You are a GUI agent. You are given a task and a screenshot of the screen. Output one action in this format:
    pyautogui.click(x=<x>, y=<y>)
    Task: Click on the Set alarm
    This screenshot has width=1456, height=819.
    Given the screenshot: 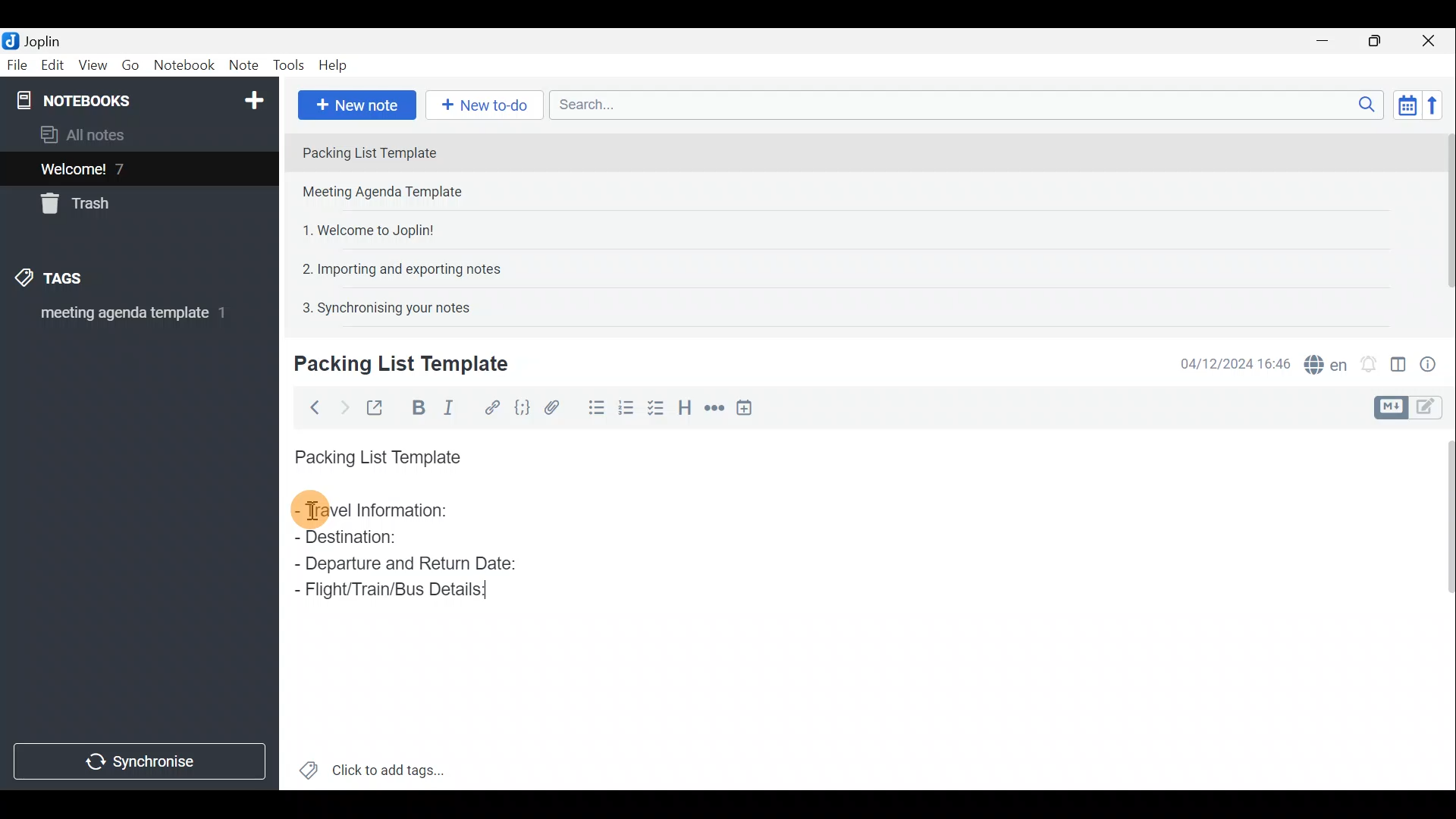 What is the action you would take?
    pyautogui.click(x=1368, y=360)
    